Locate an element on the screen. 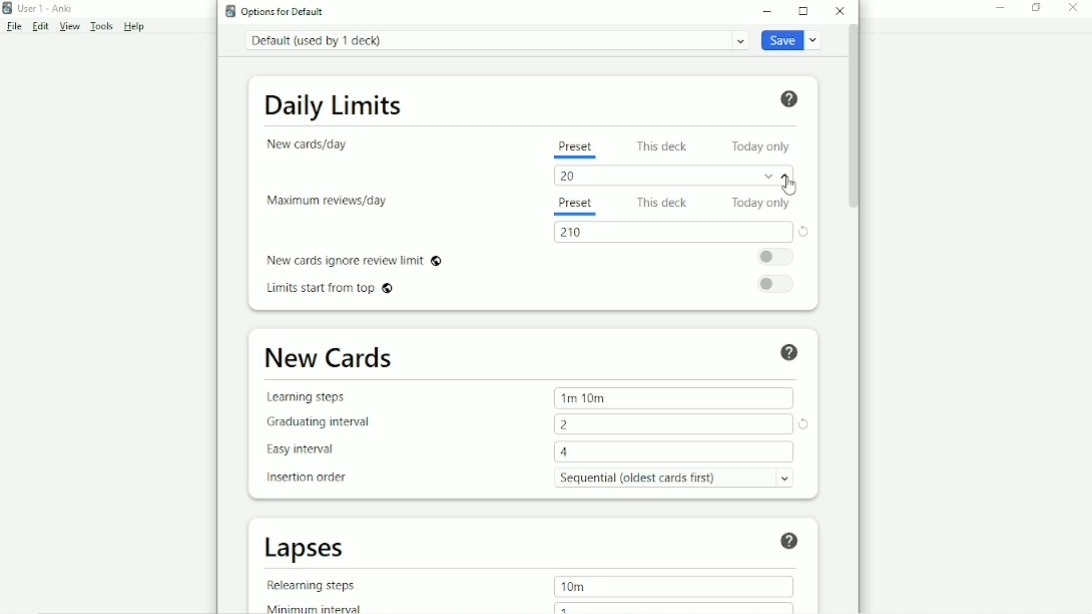  Decrement value is located at coordinates (768, 177).